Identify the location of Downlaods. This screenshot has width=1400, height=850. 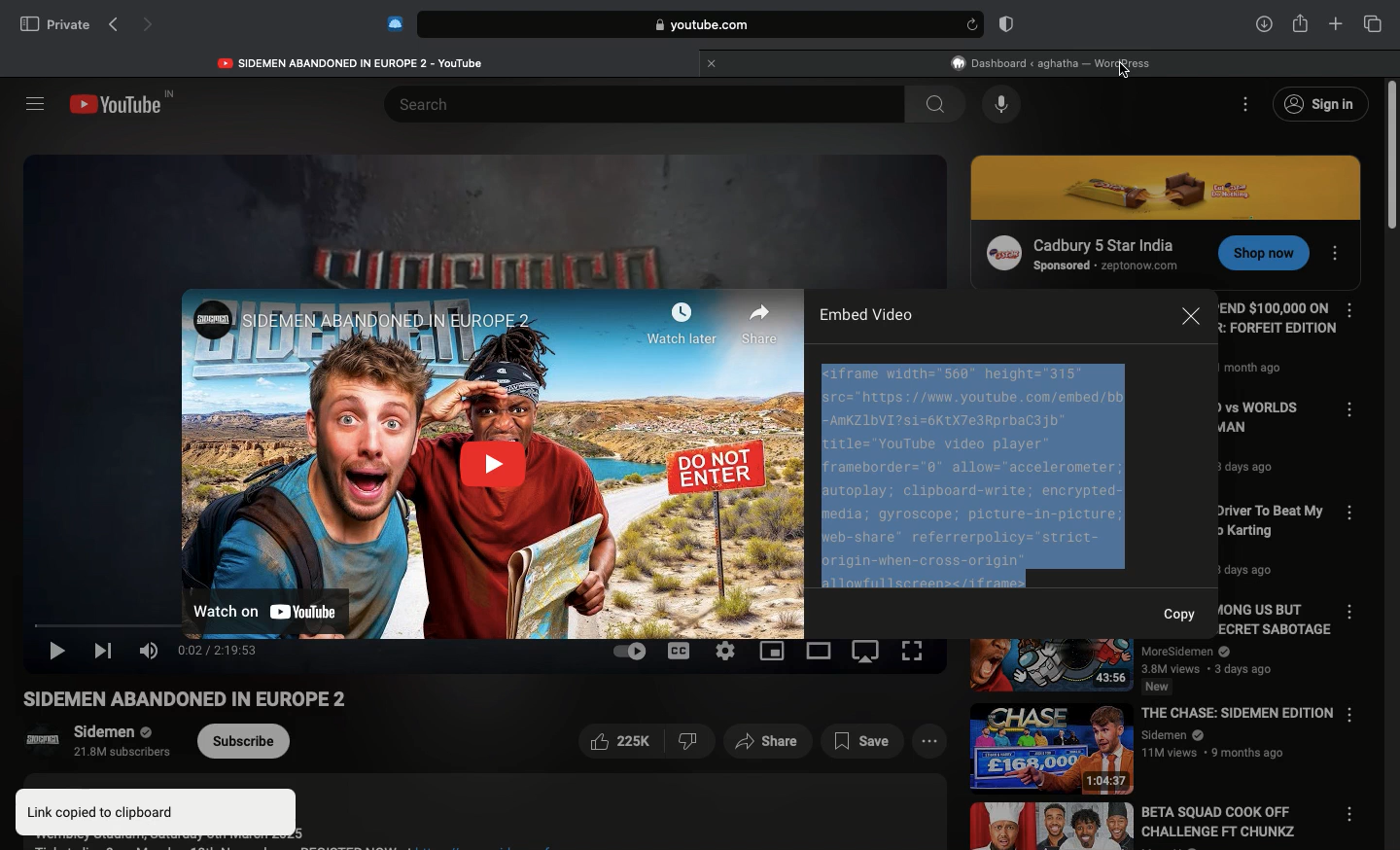
(1261, 25).